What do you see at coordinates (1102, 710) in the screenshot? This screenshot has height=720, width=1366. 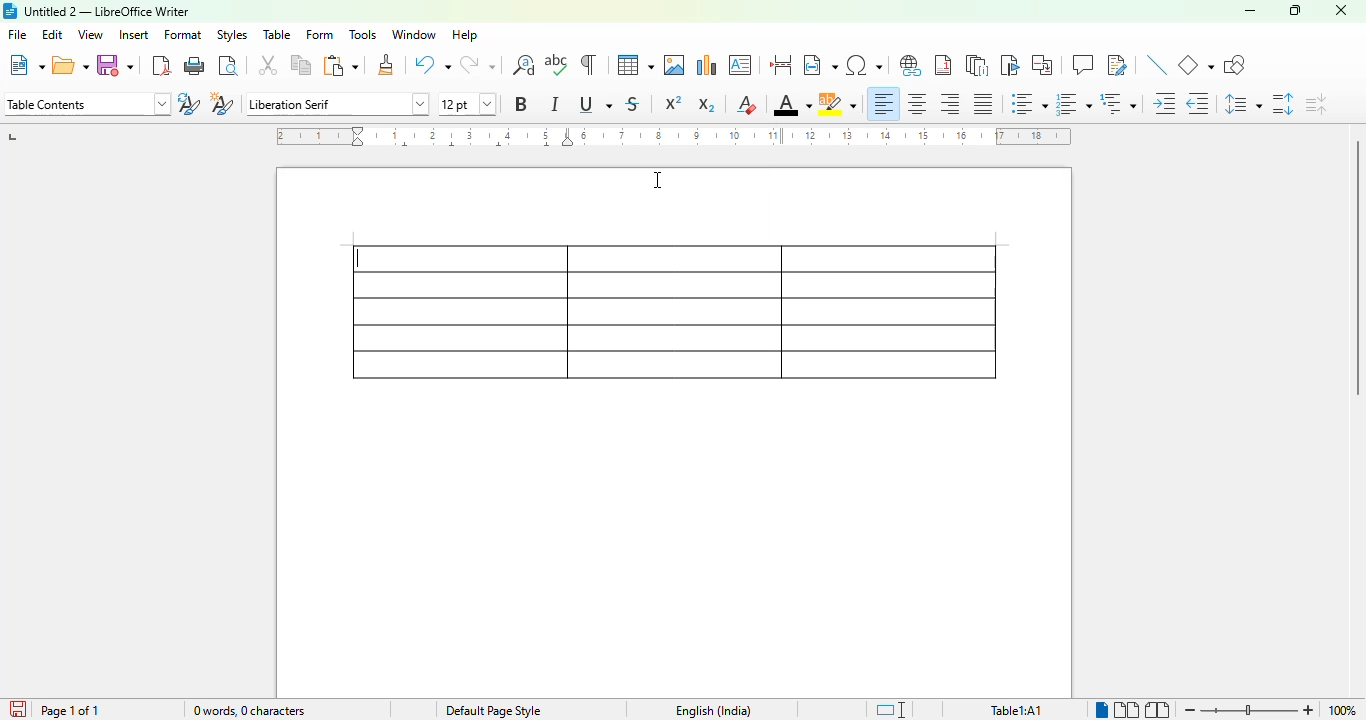 I see `single-page view` at bounding box center [1102, 710].